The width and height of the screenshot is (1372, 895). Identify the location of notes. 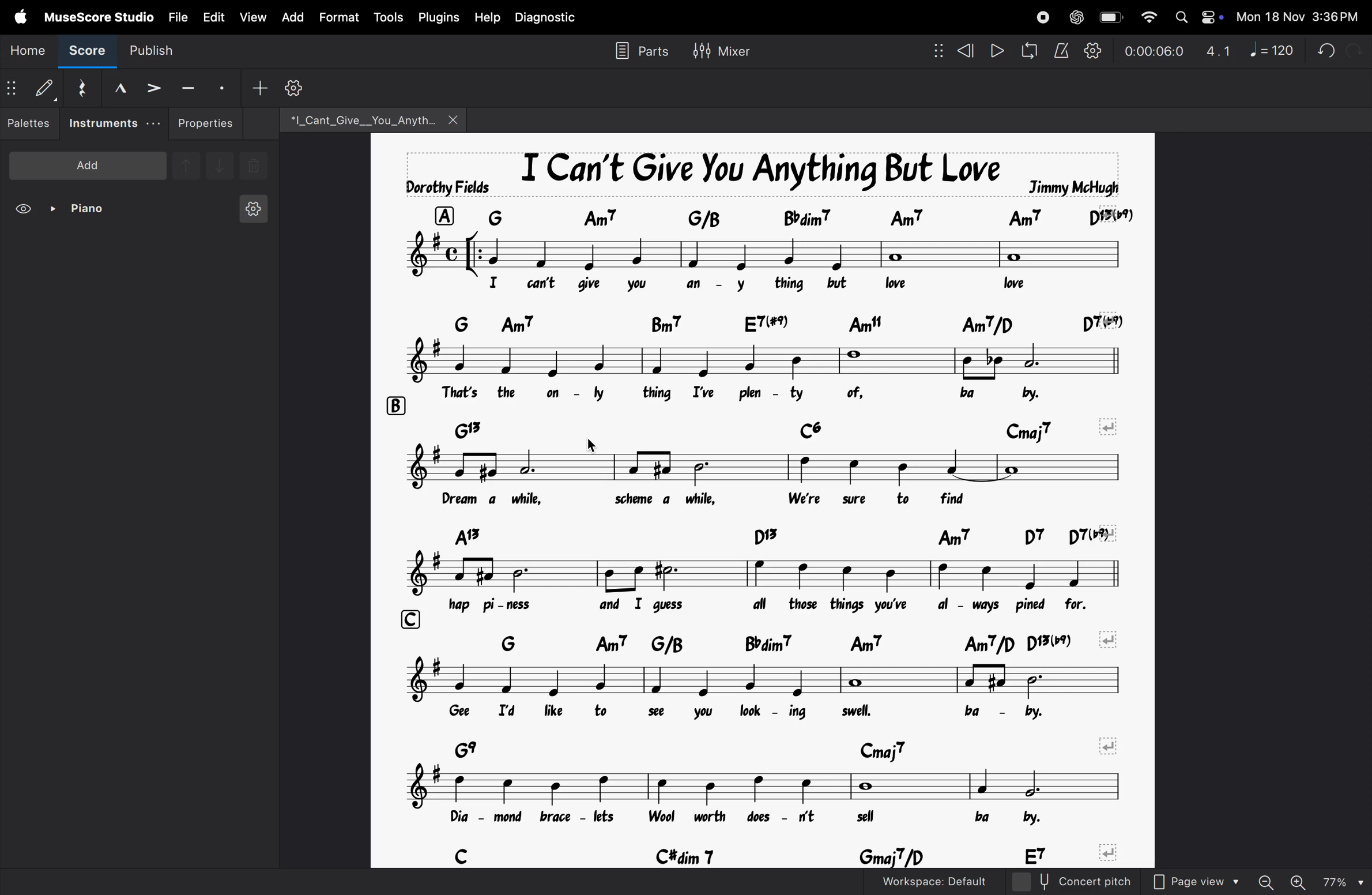
(772, 466).